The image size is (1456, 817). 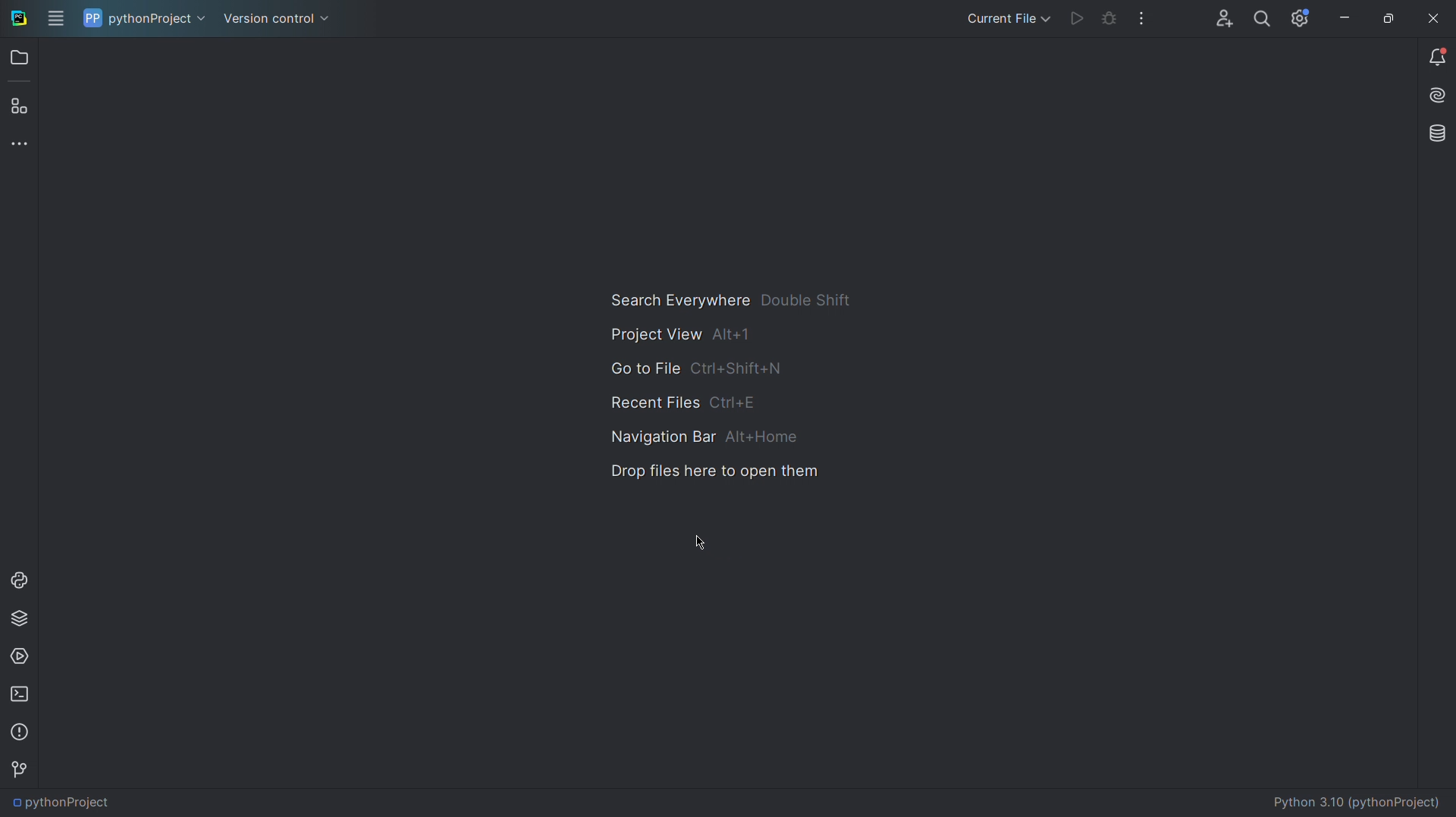 I want to click on version control, so click(x=24, y=768).